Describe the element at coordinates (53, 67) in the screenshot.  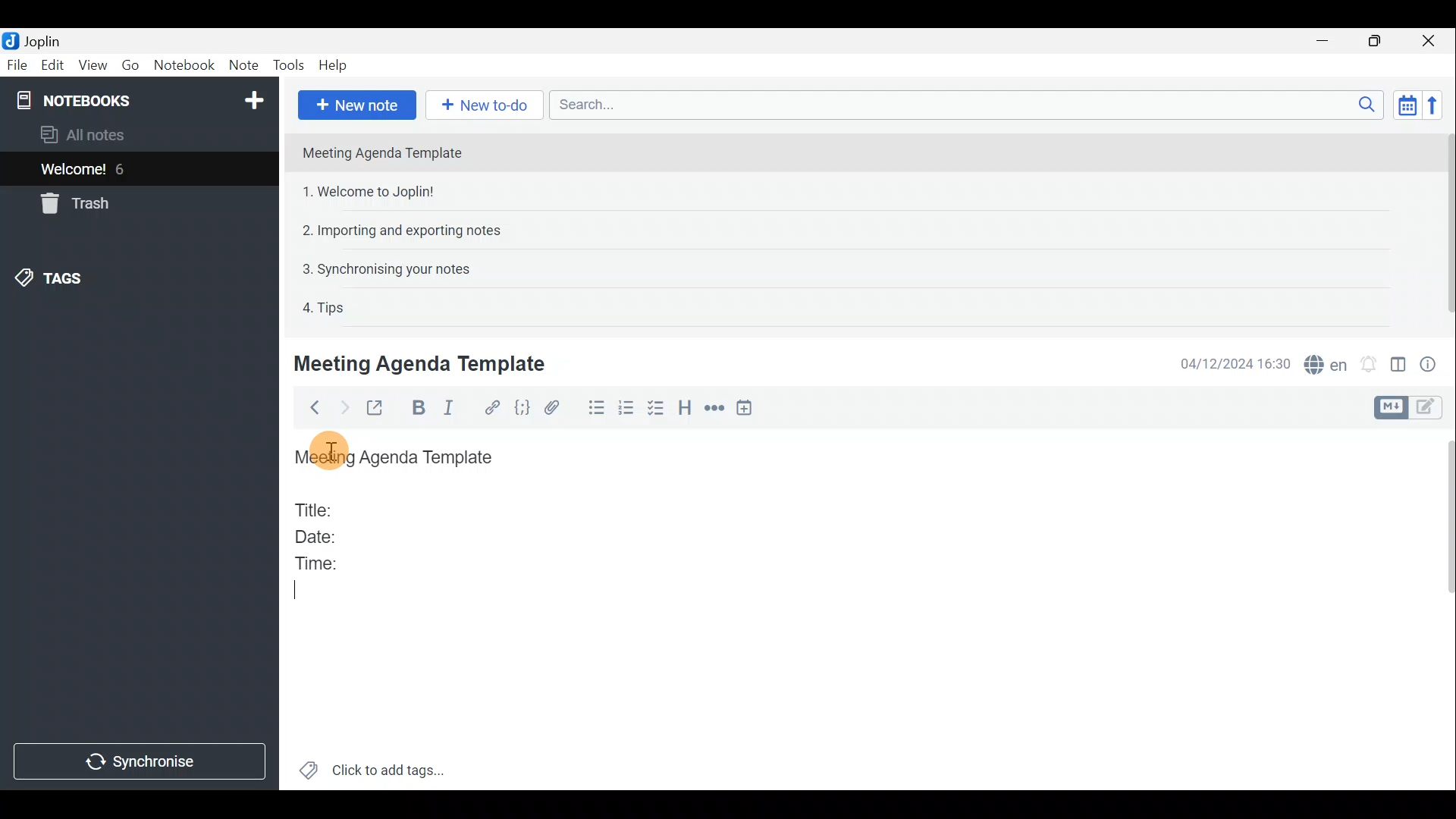
I see `Edit` at that location.